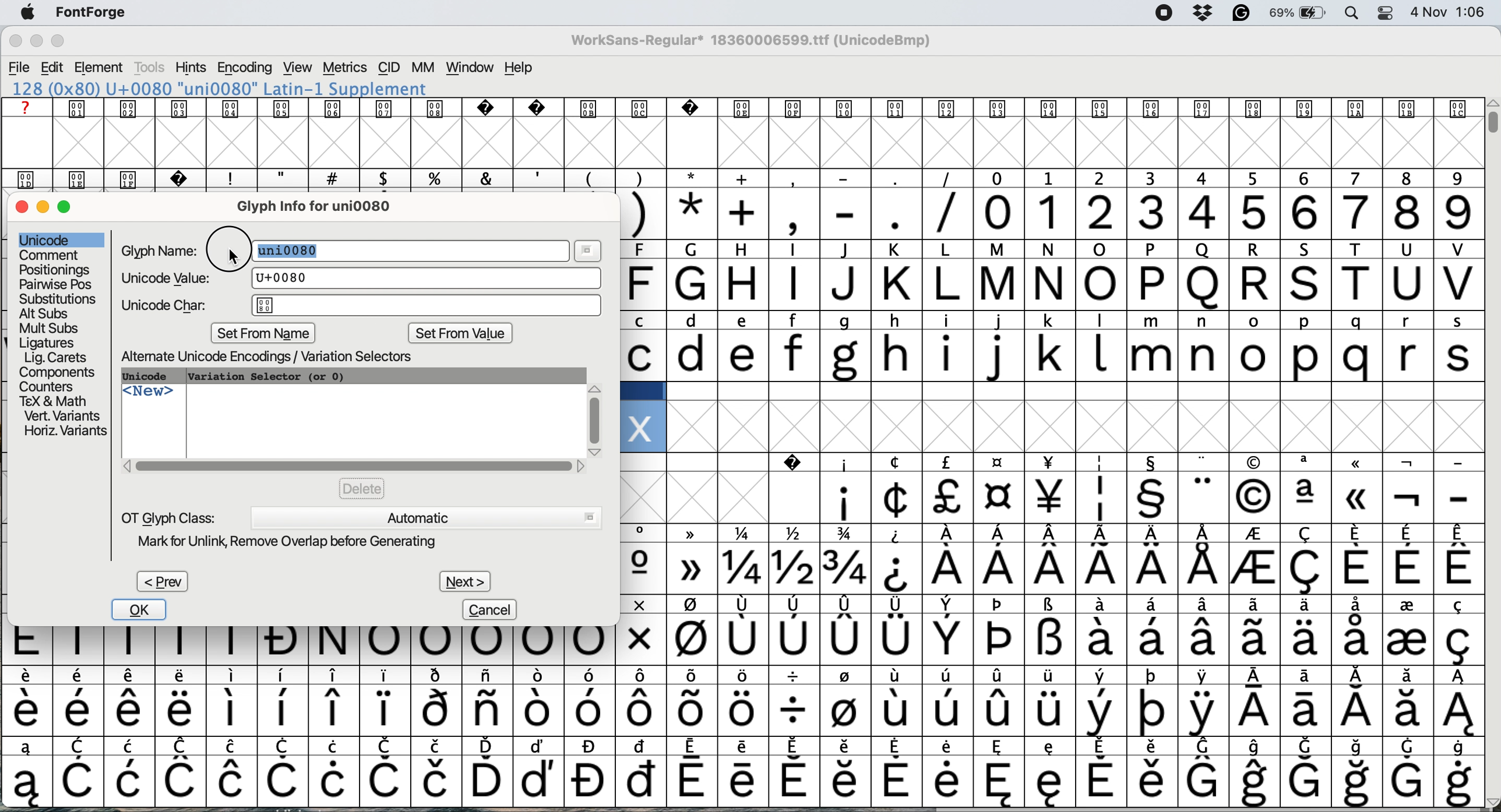  Describe the element at coordinates (389, 68) in the screenshot. I see `cid` at that location.